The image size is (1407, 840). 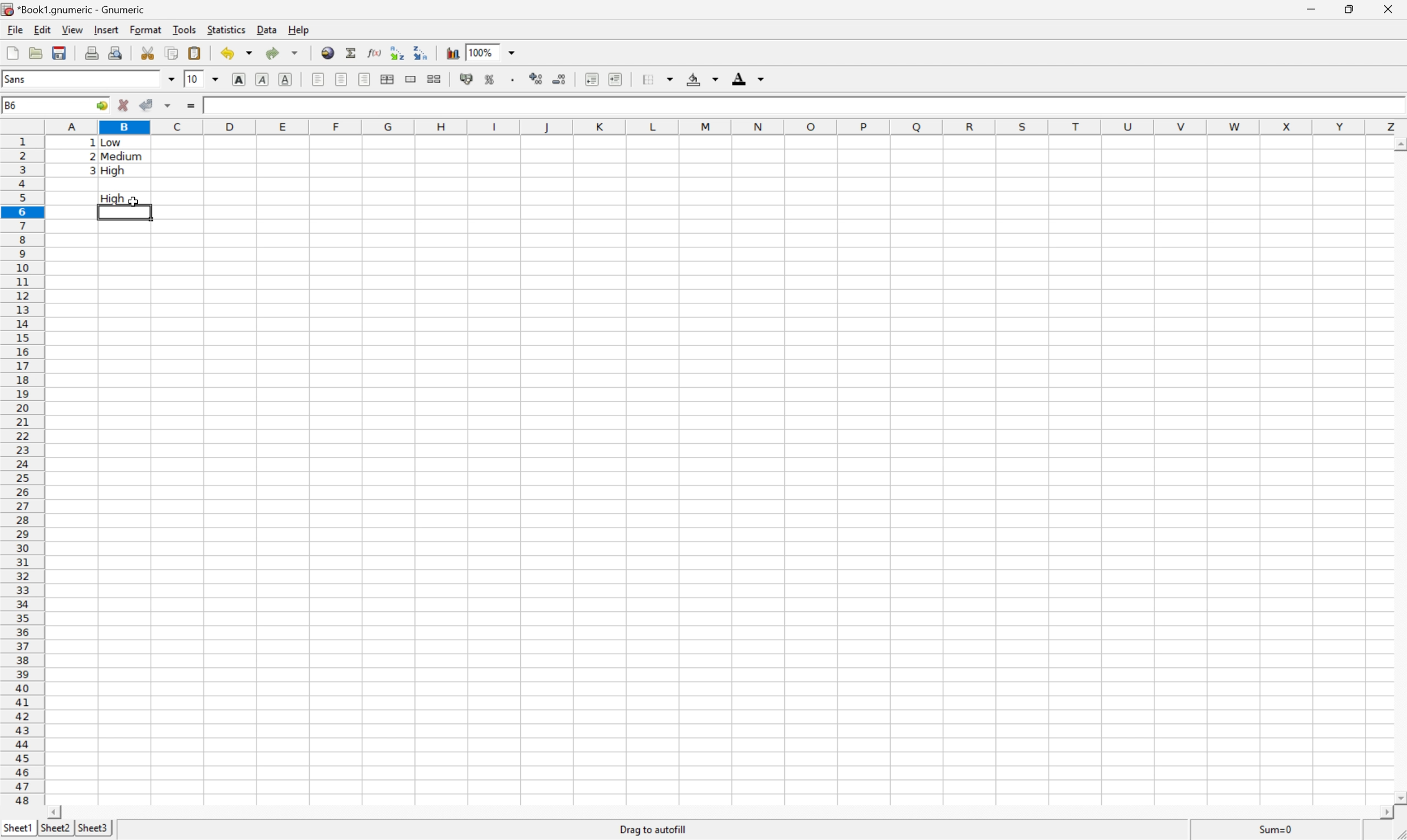 I want to click on Cut selection, so click(x=148, y=53).